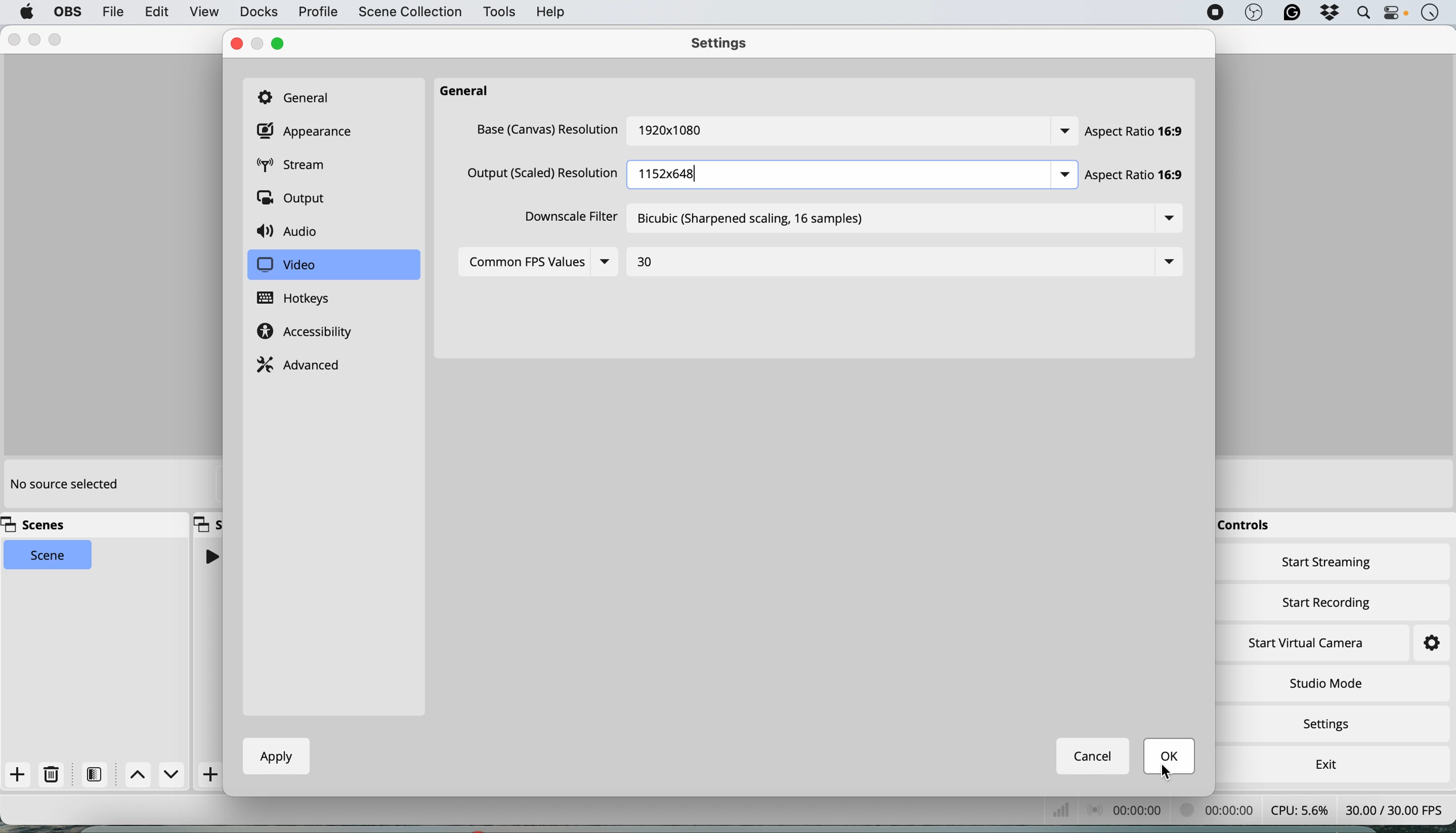 Image resolution: width=1456 pixels, height=833 pixels. I want to click on maximise, so click(278, 43).